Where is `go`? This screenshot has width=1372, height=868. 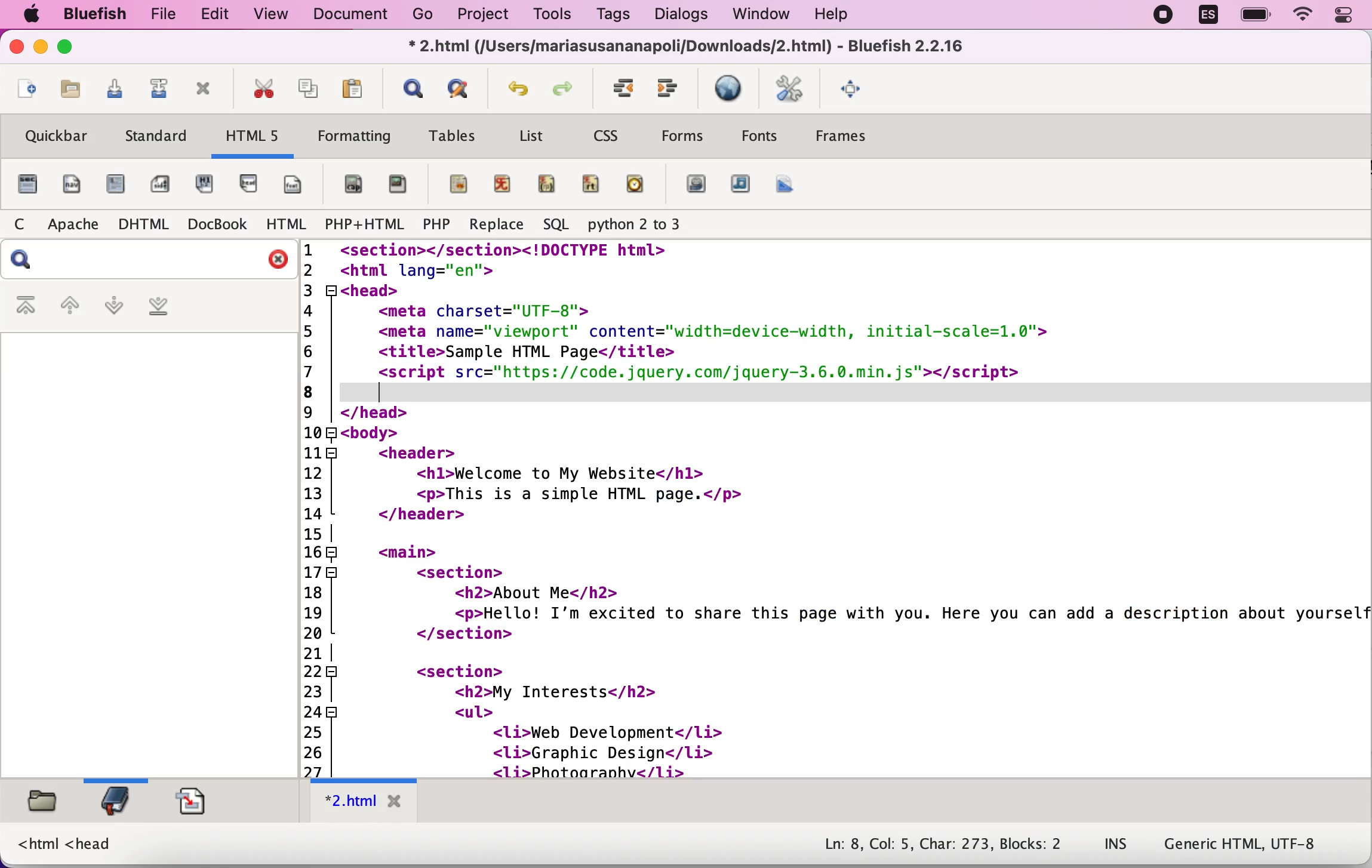
go is located at coordinates (424, 17).